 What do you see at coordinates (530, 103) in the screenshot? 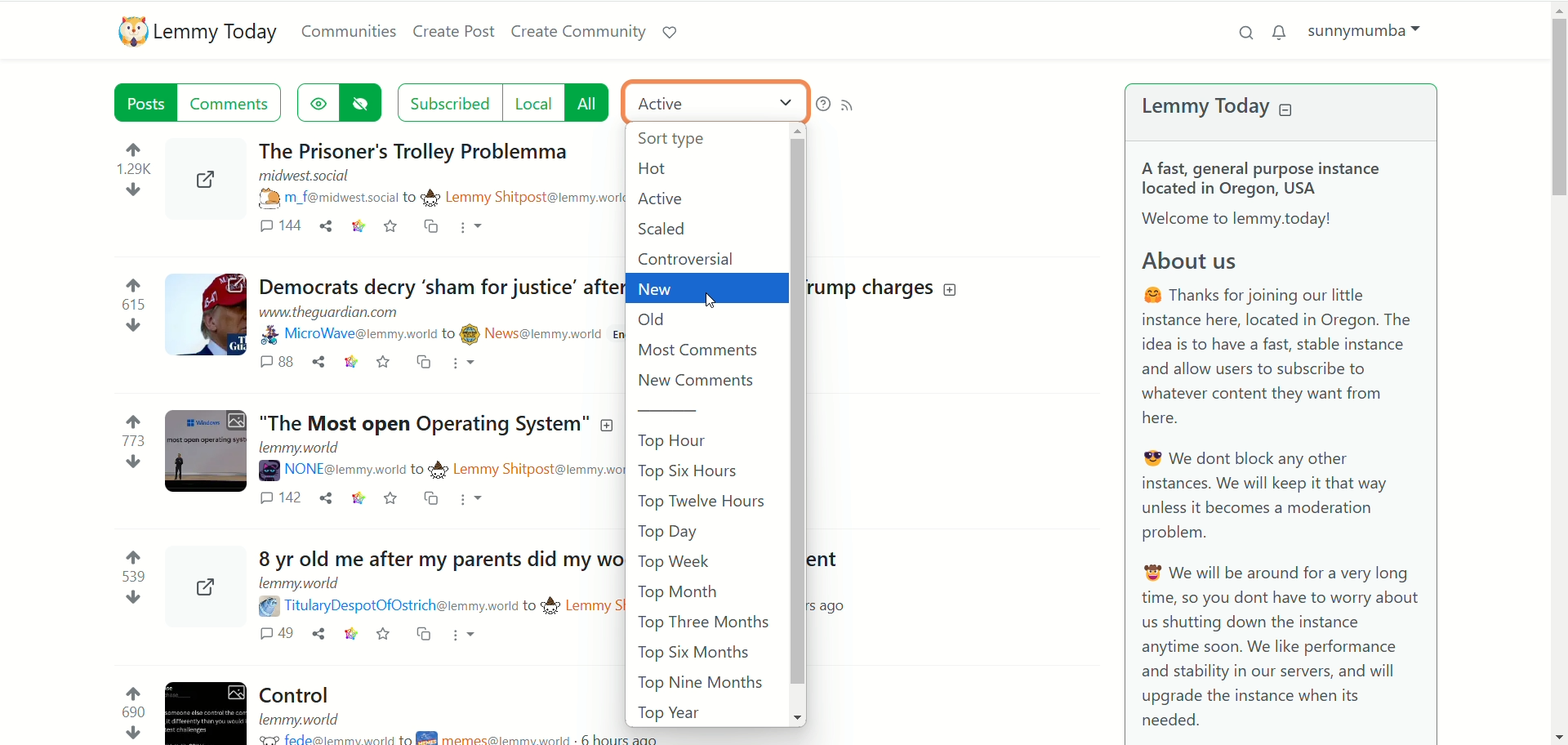
I see `local` at bounding box center [530, 103].